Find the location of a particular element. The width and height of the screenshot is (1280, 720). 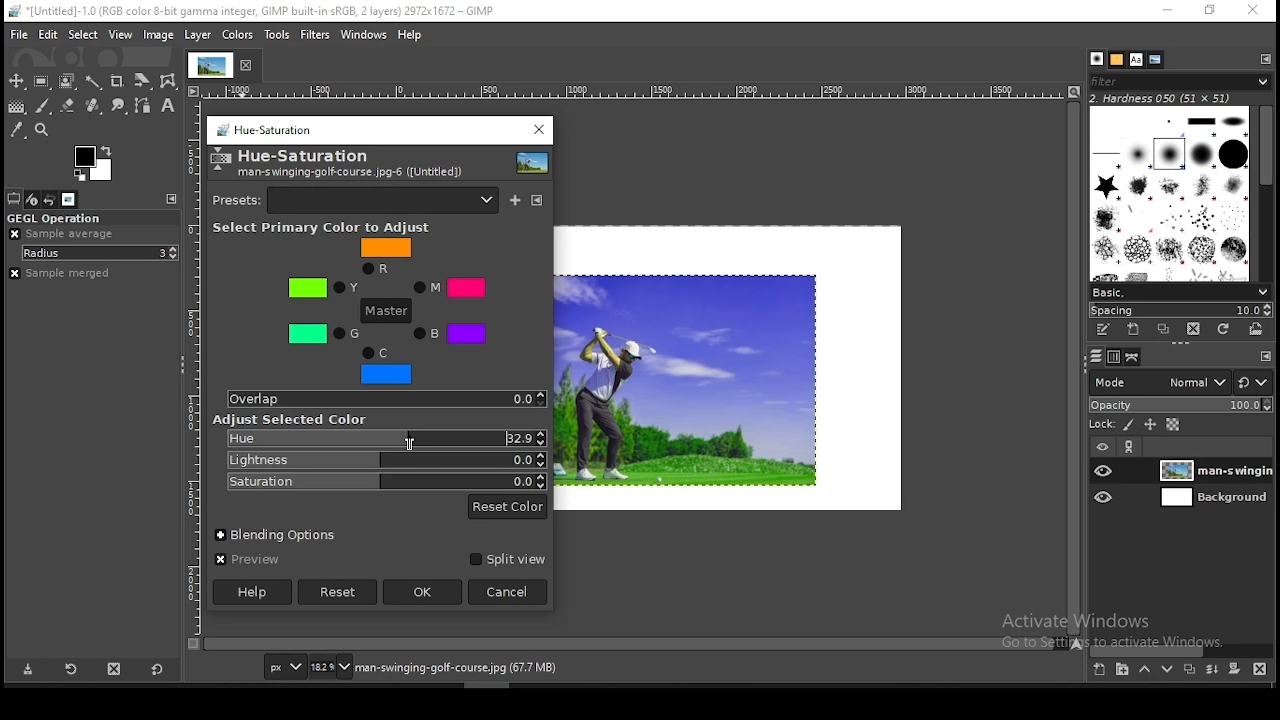

delete layer is located at coordinates (1260, 670).